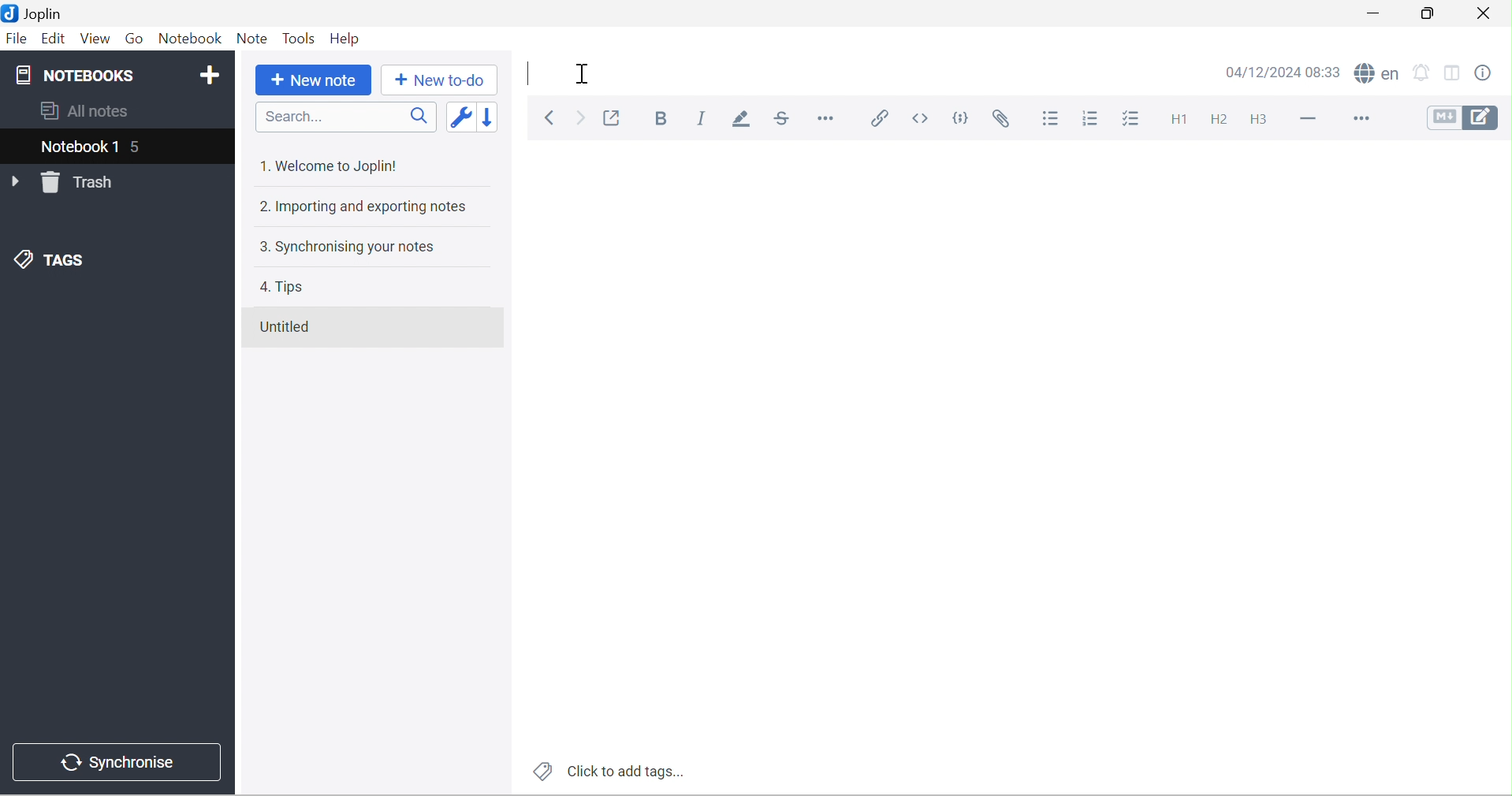 Image resolution: width=1512 pixels, height=796 pixels. I want to click on Note properties, so click(1493, 73).